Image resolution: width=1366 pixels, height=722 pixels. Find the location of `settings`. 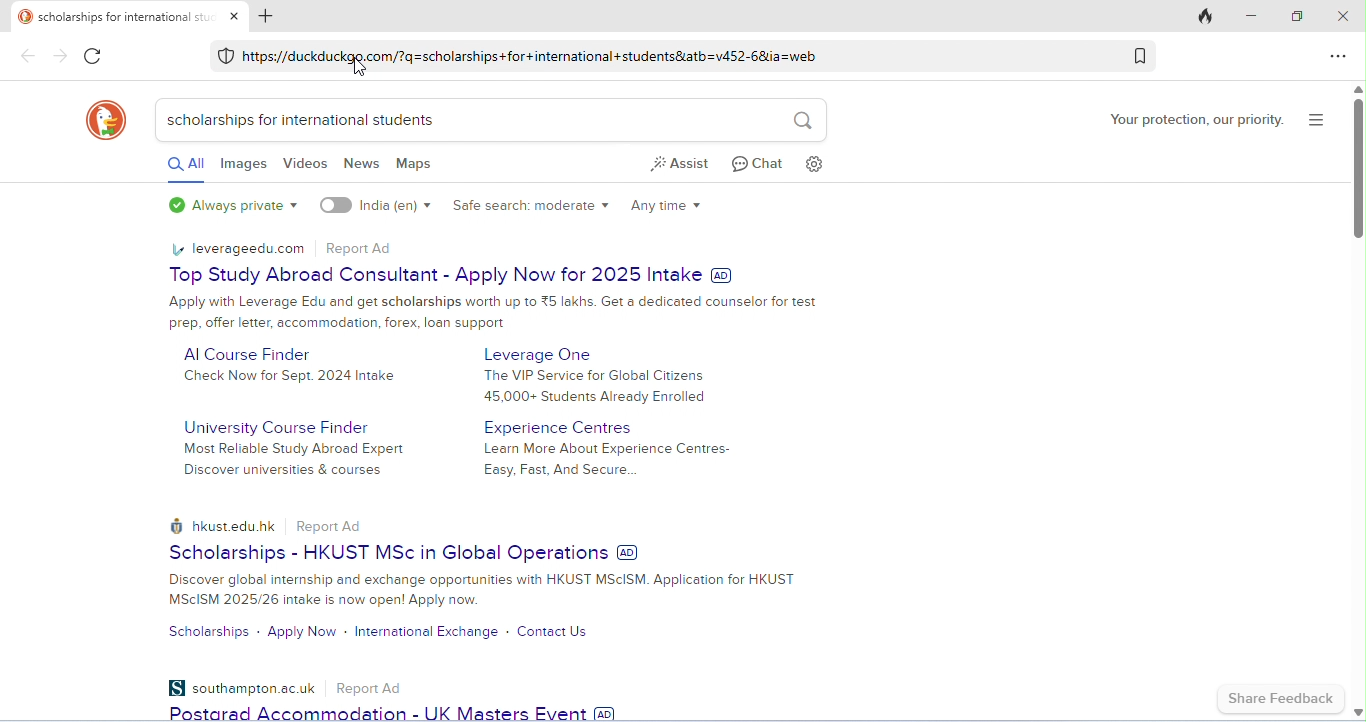

settings is located at coordinates (814, 164).